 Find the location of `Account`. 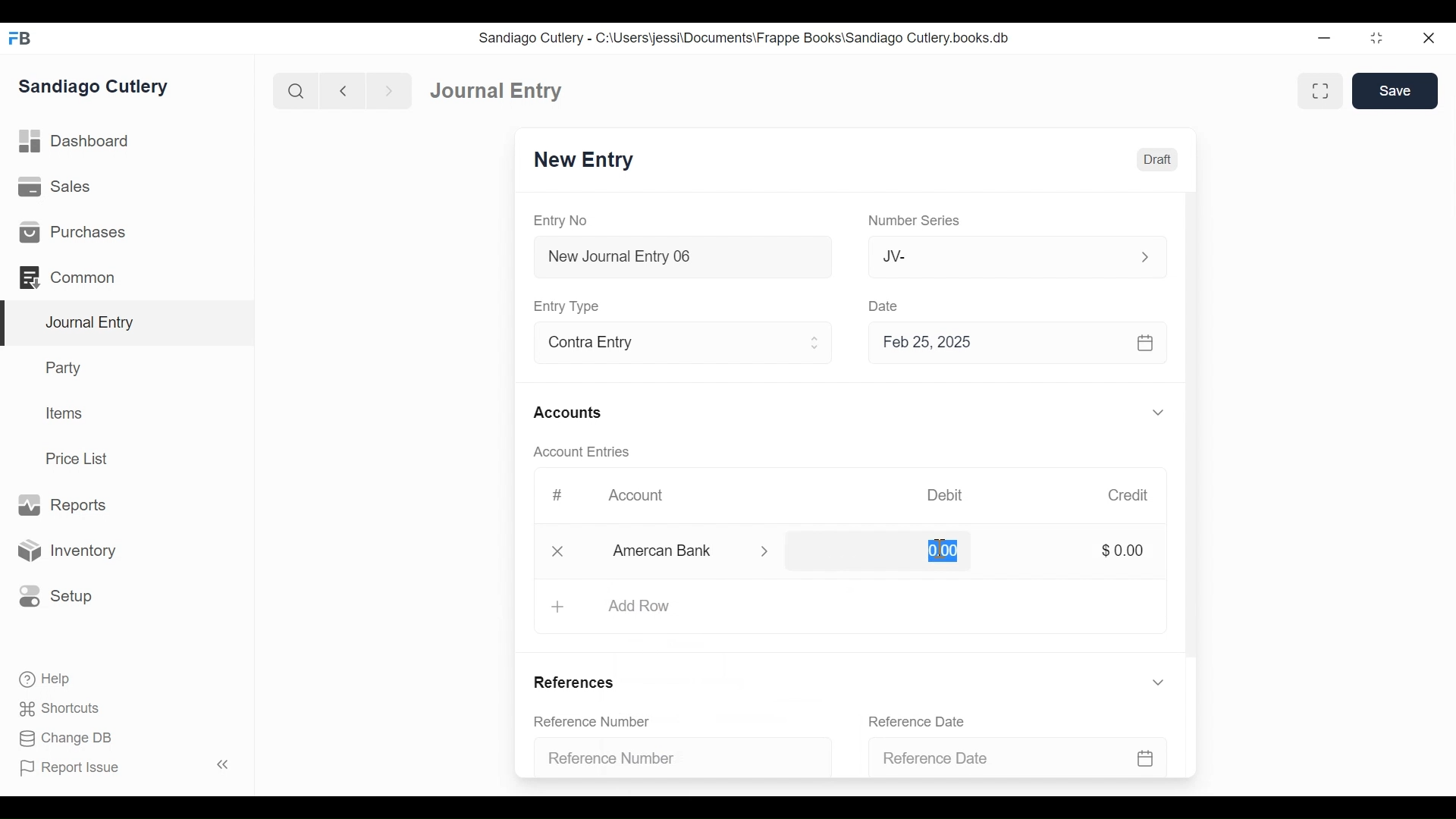

Account is located at coordinates (646, 500).